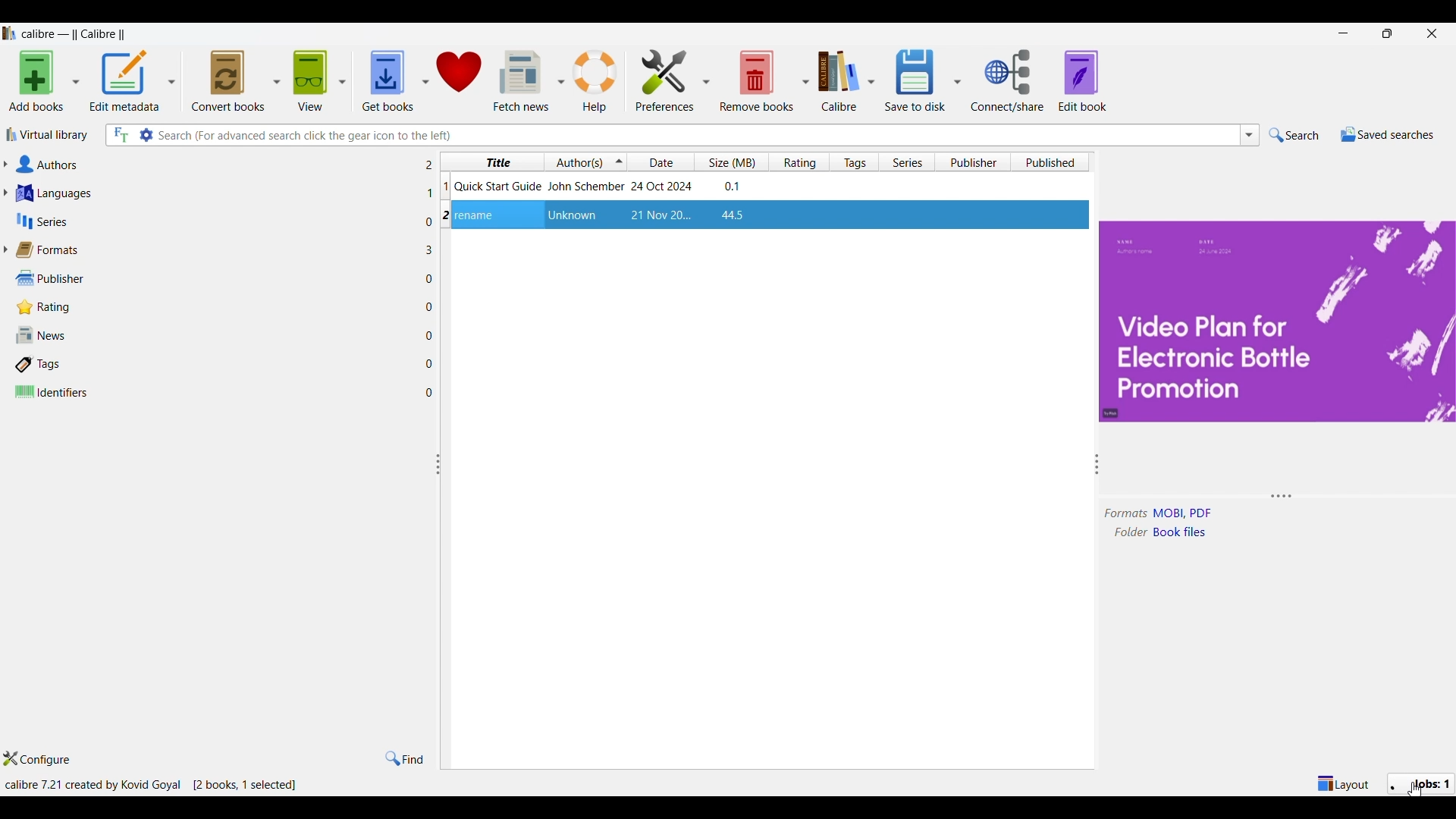 This screenshot has height=819, width=1456. What do you see at coordinates (215, 366) in the screenshot?
I see `Tags ` at bounding box center [215, 366].